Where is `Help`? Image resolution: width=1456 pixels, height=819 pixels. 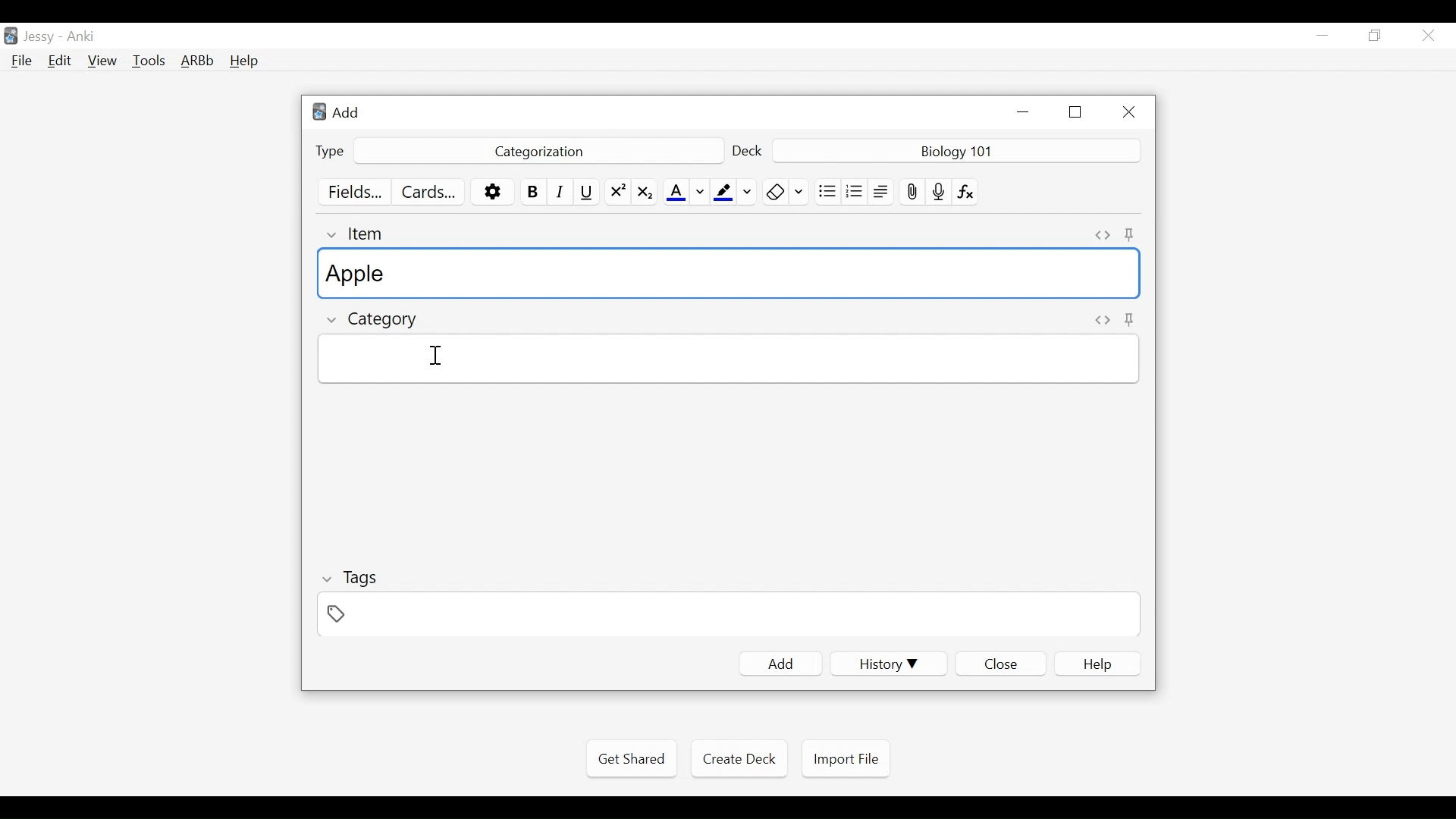
Help is located at coordinates (243, 62).